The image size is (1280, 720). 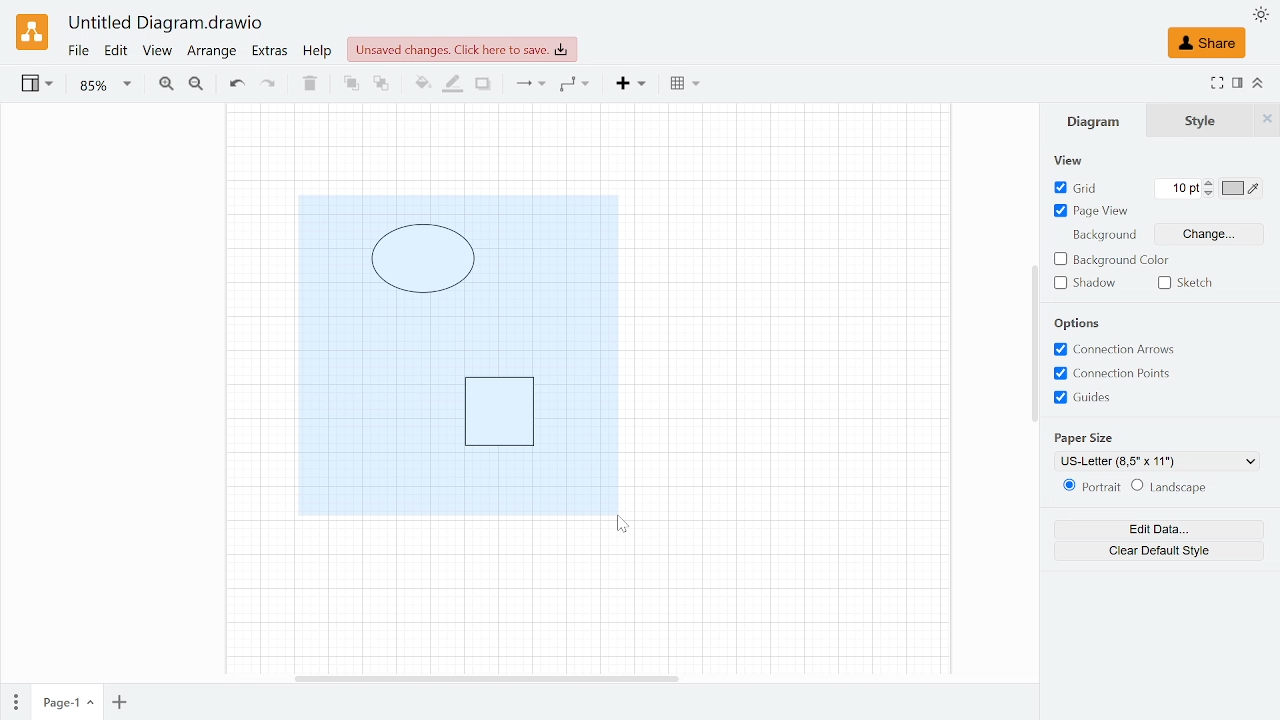 What do you see at coordinates (166, 84) in the screenshot?
I see `Zoom in` at bounding box center [166, 84].